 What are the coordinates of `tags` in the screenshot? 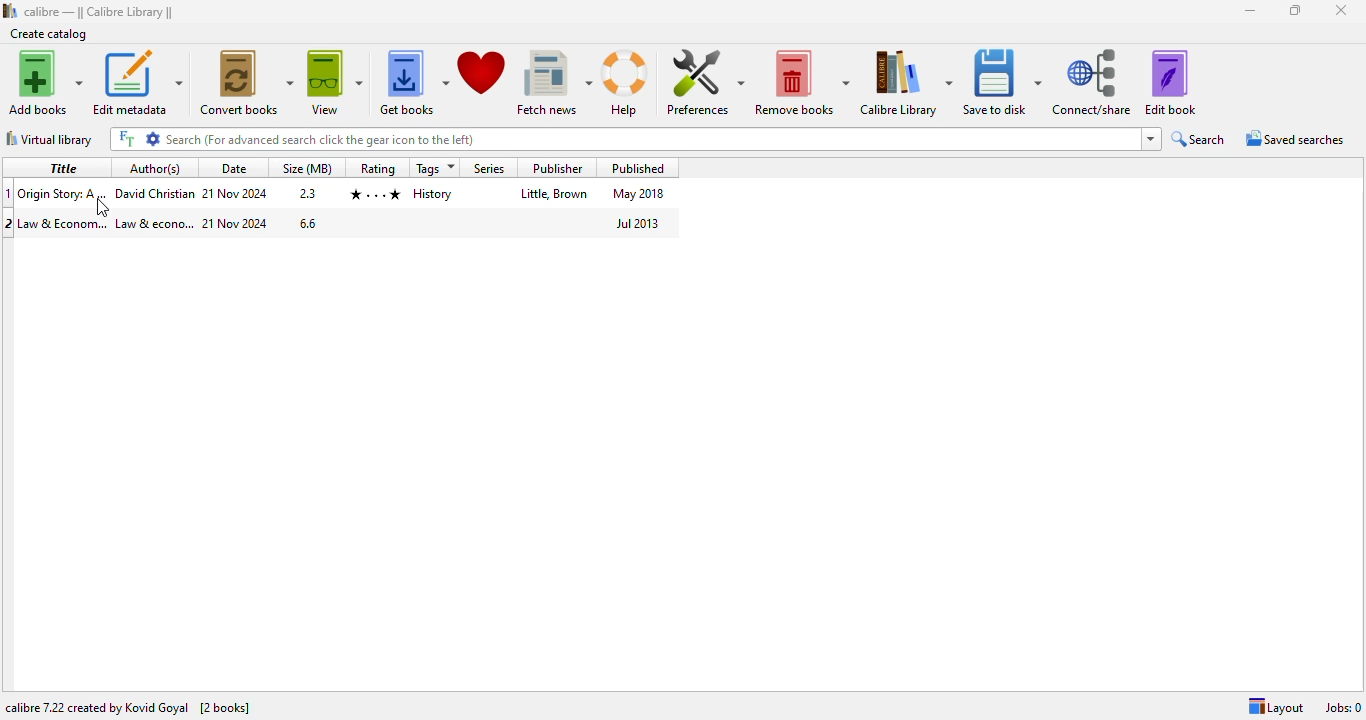 It's located at (435, 168).